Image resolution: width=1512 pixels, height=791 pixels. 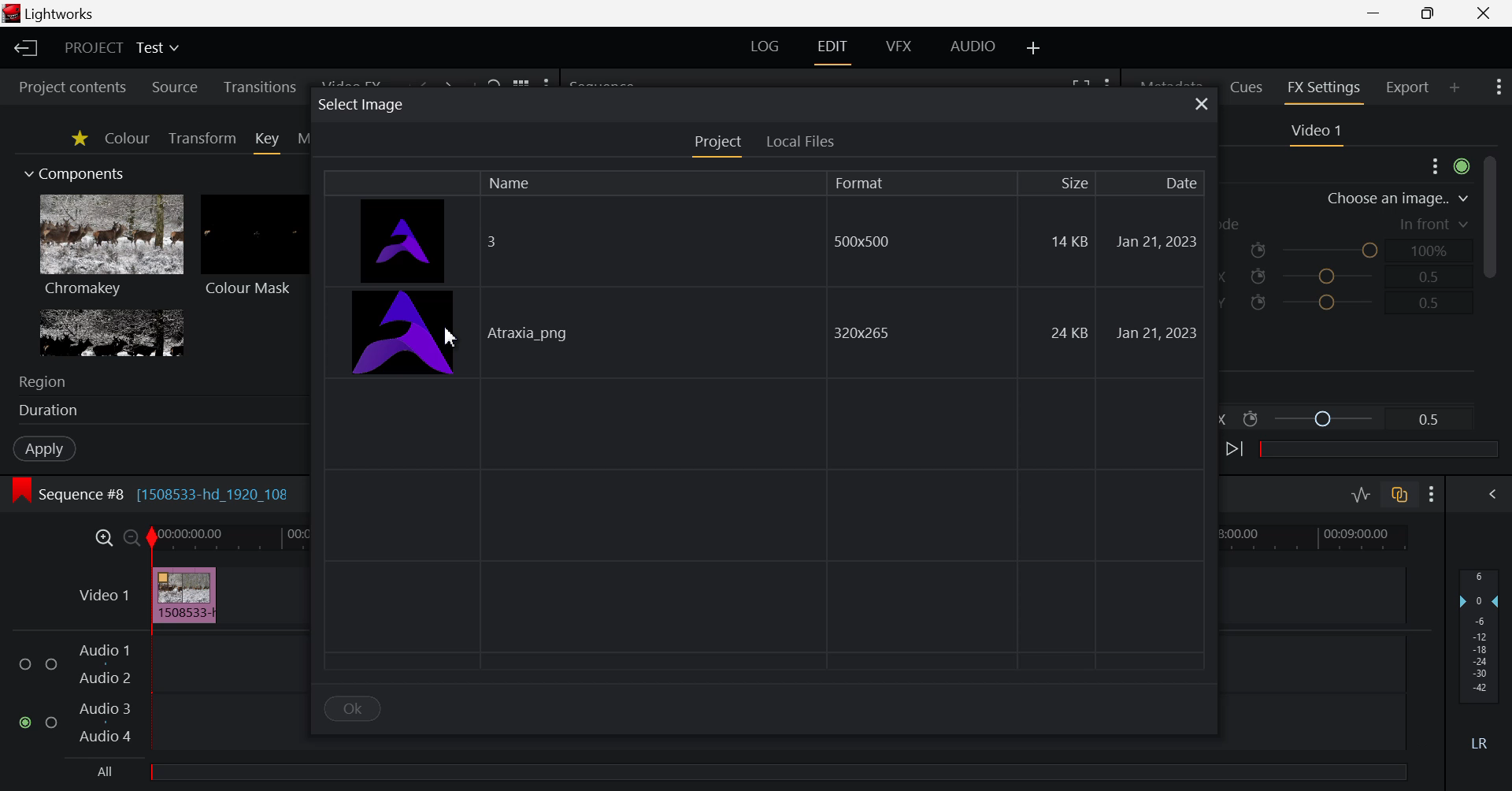 What do you see at coordinates (1235, 452) in the screenshot?
I see `Next keyframe` at bounding box center [1235, 452].